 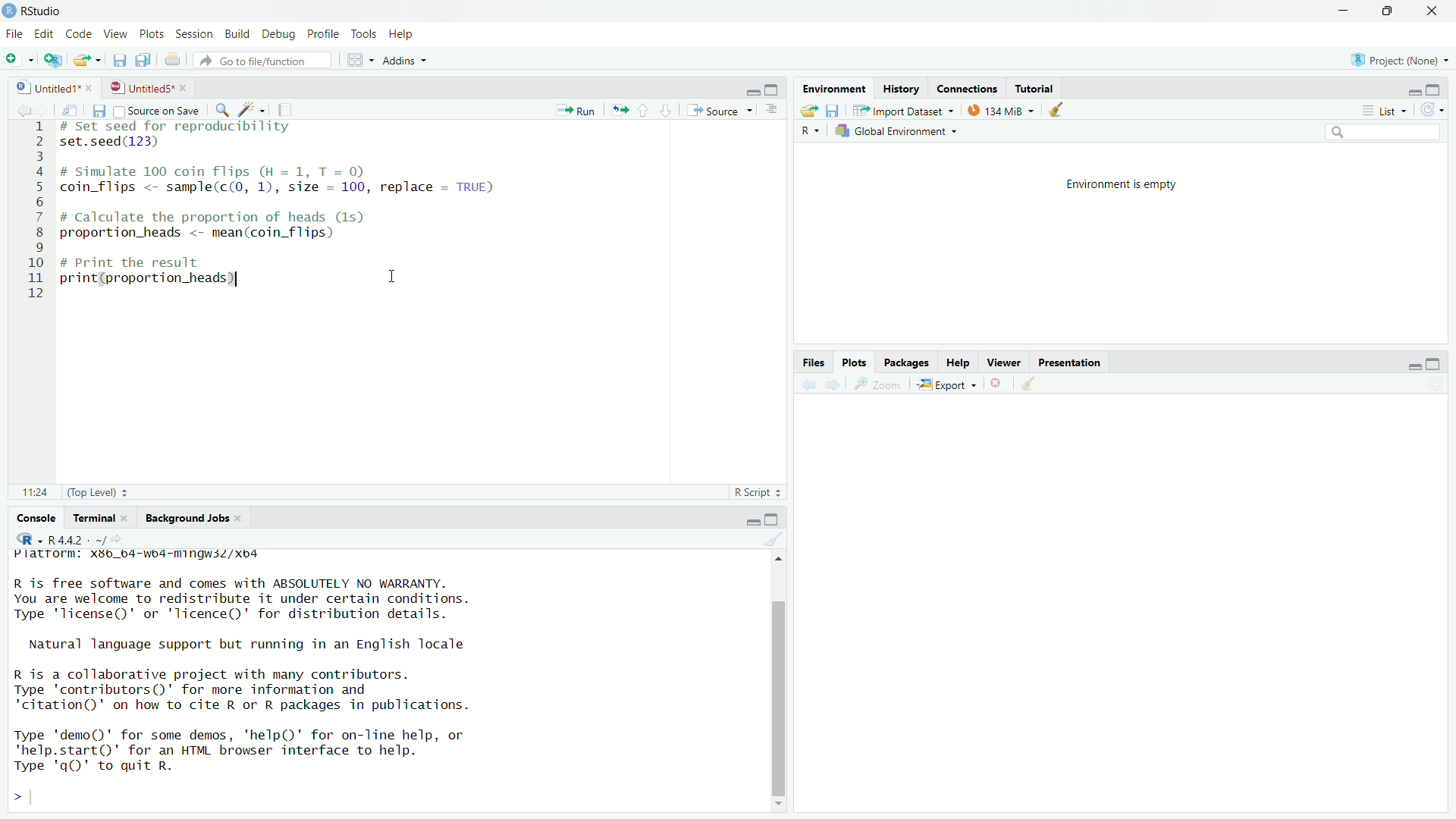 I want to click on coin_tiips <- sample(c(O, 1), size = 100, replace = TRUE), so click(x=286, y=188).